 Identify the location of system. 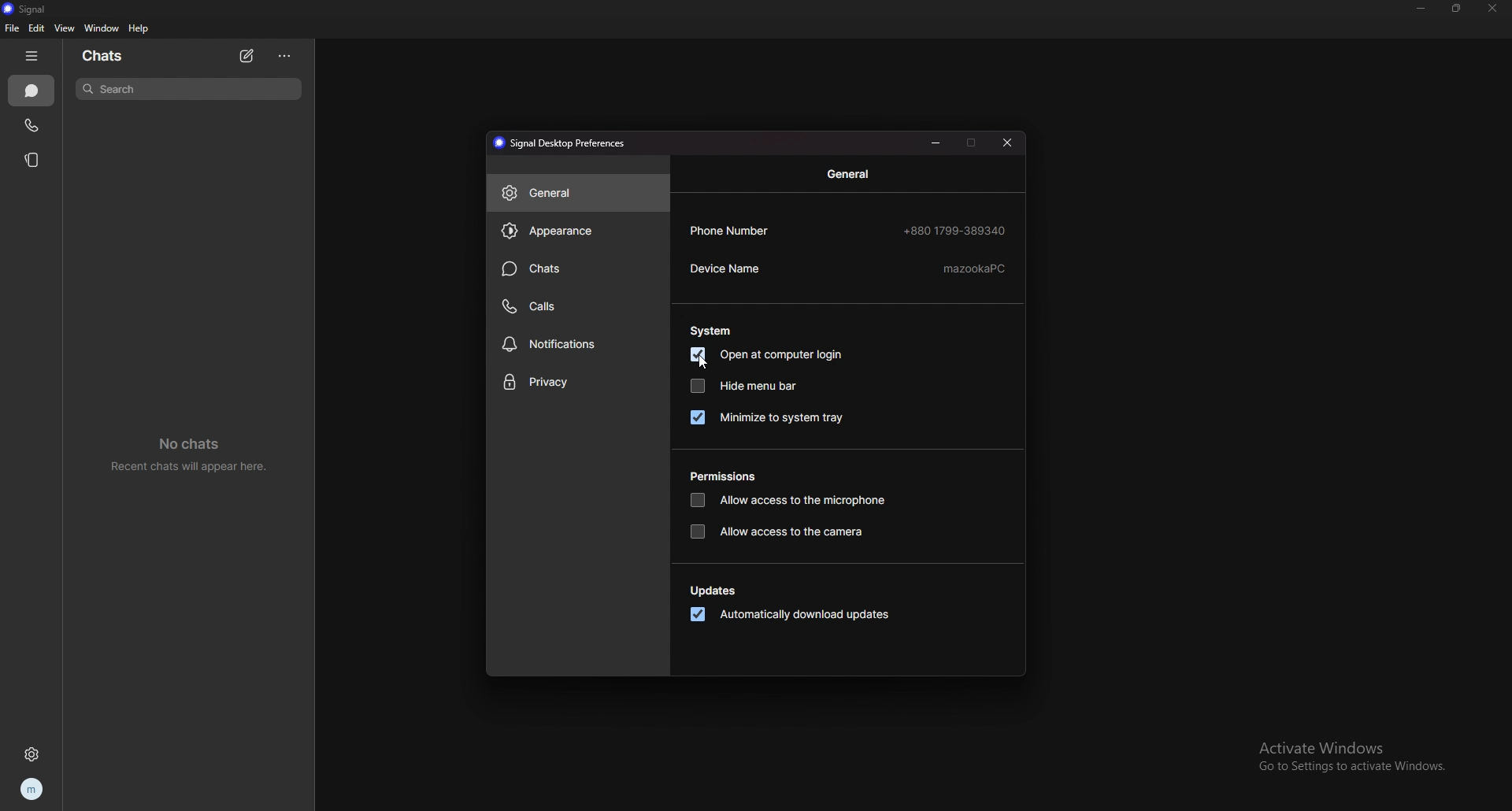
(713, 331).